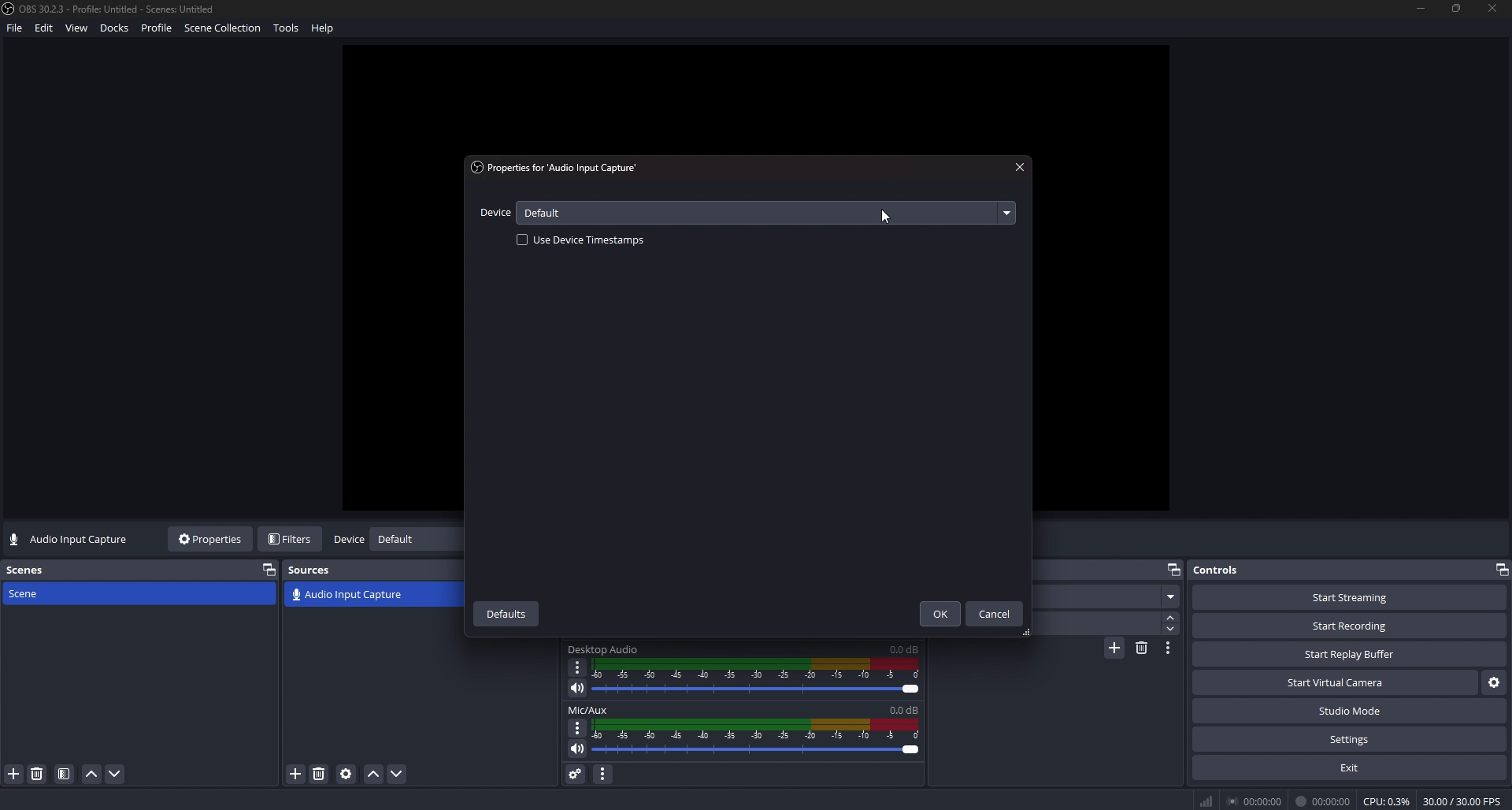 Image resolution: width=1512 pixels, height=810 pixels. Describe the element at coordinates (604, 650) in the screenshot. I see `mic/aux` at that location.